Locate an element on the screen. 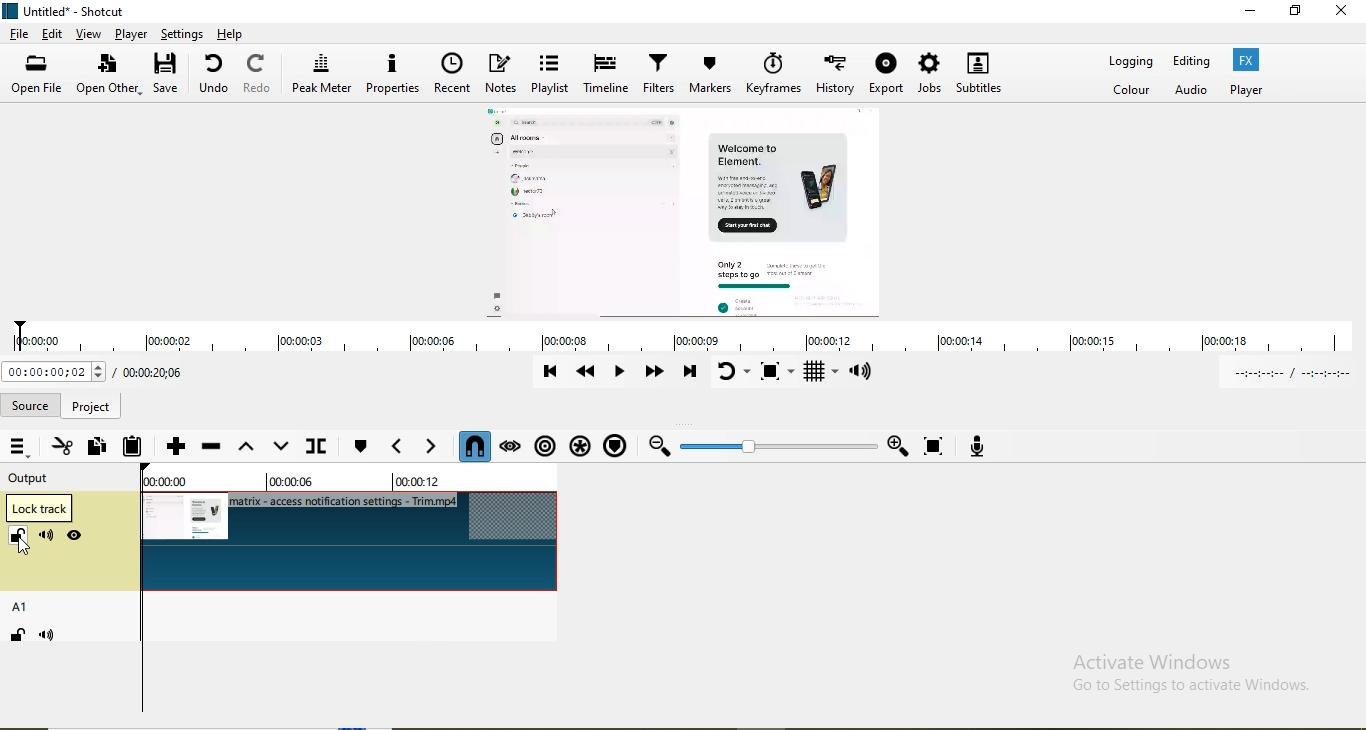  Close  is located at coordinates (1345, 14).